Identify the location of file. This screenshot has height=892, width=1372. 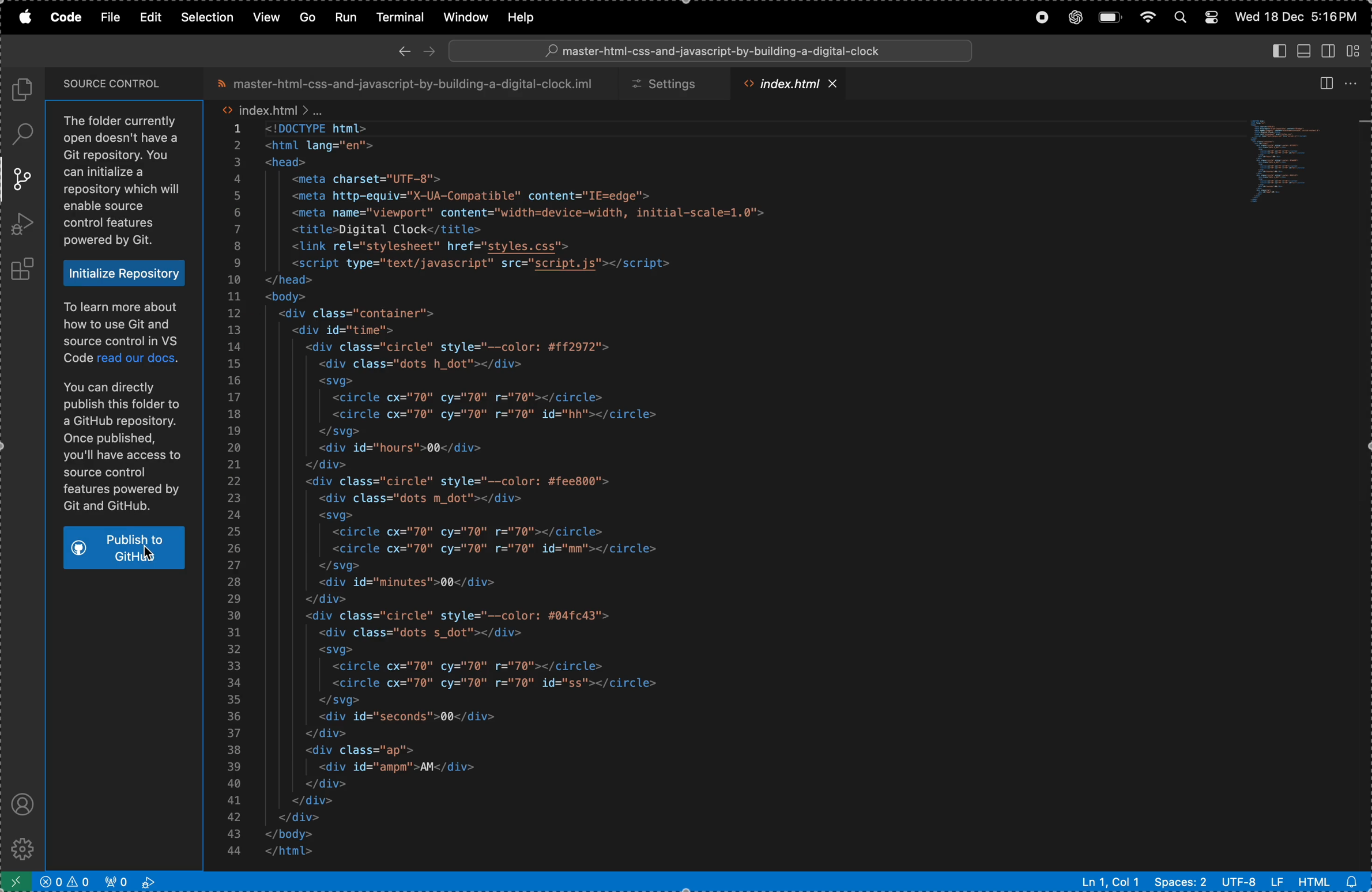
(112, 17).